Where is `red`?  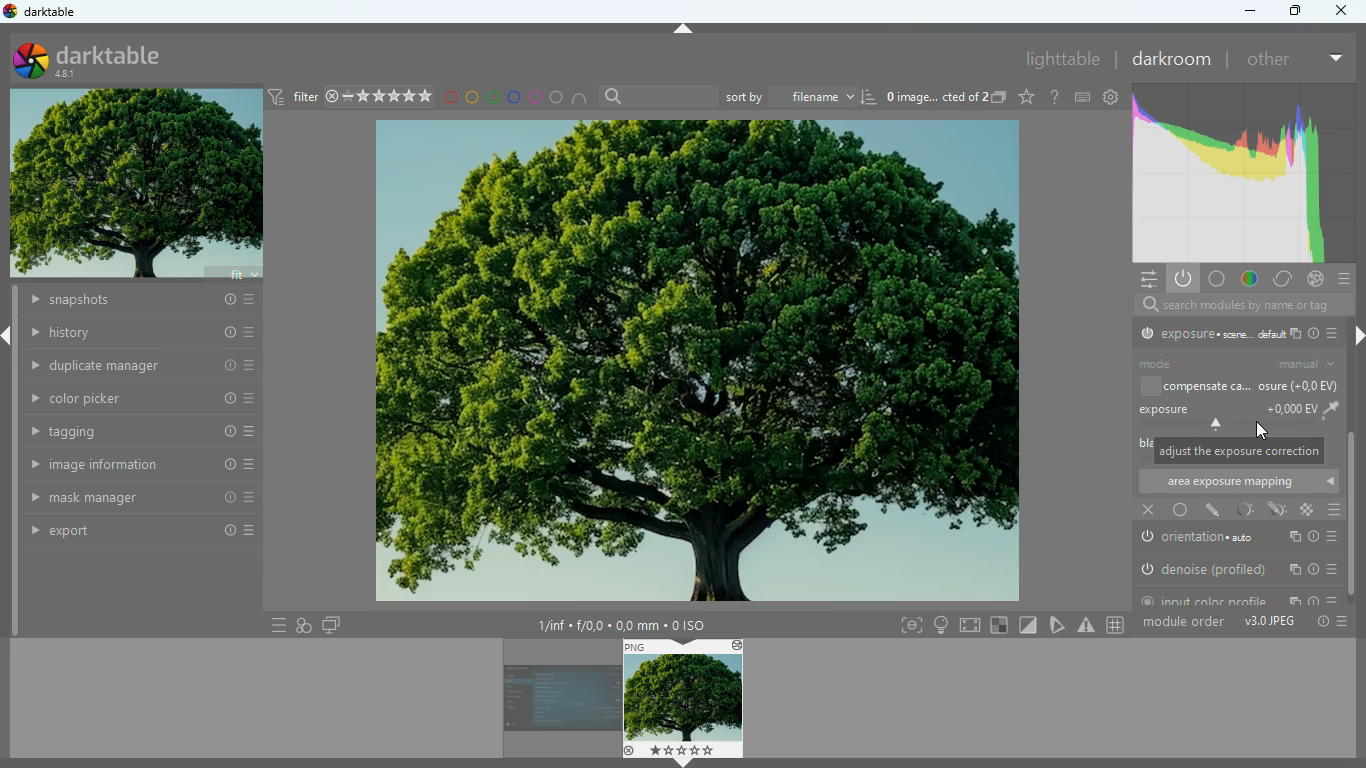 red is located at coordinates (450, 100).